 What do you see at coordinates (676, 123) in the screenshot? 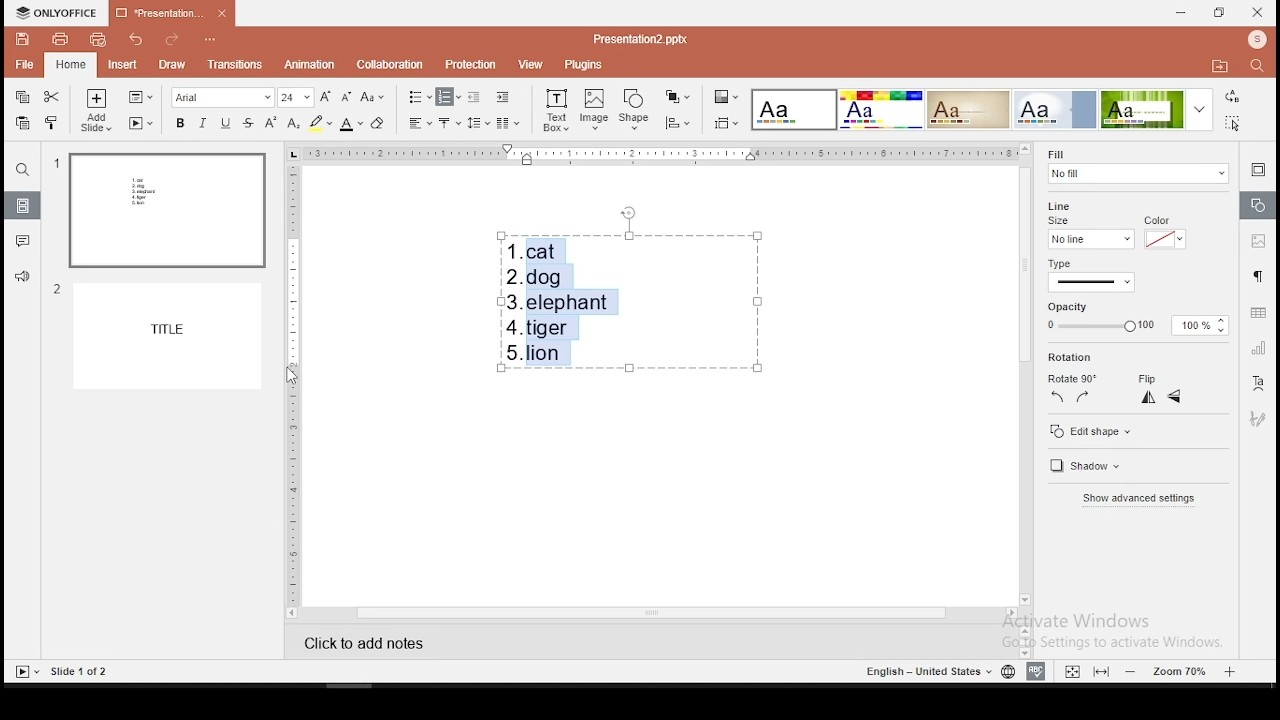
I see `align objects` at bounding box center [676, 123].